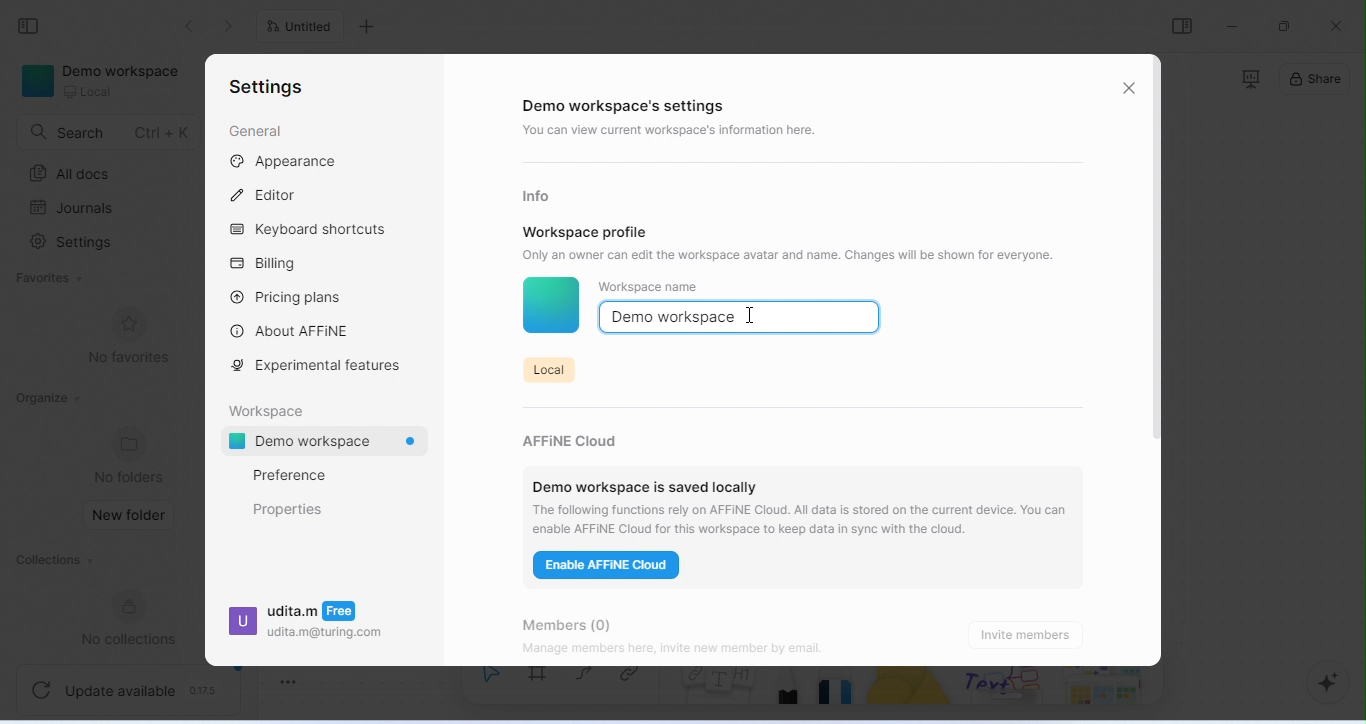 The width and height of the screenshot is (1366, 724). Describe the element at coordinates (1233, 25) in the screenshot. I see `minimize` at that location.